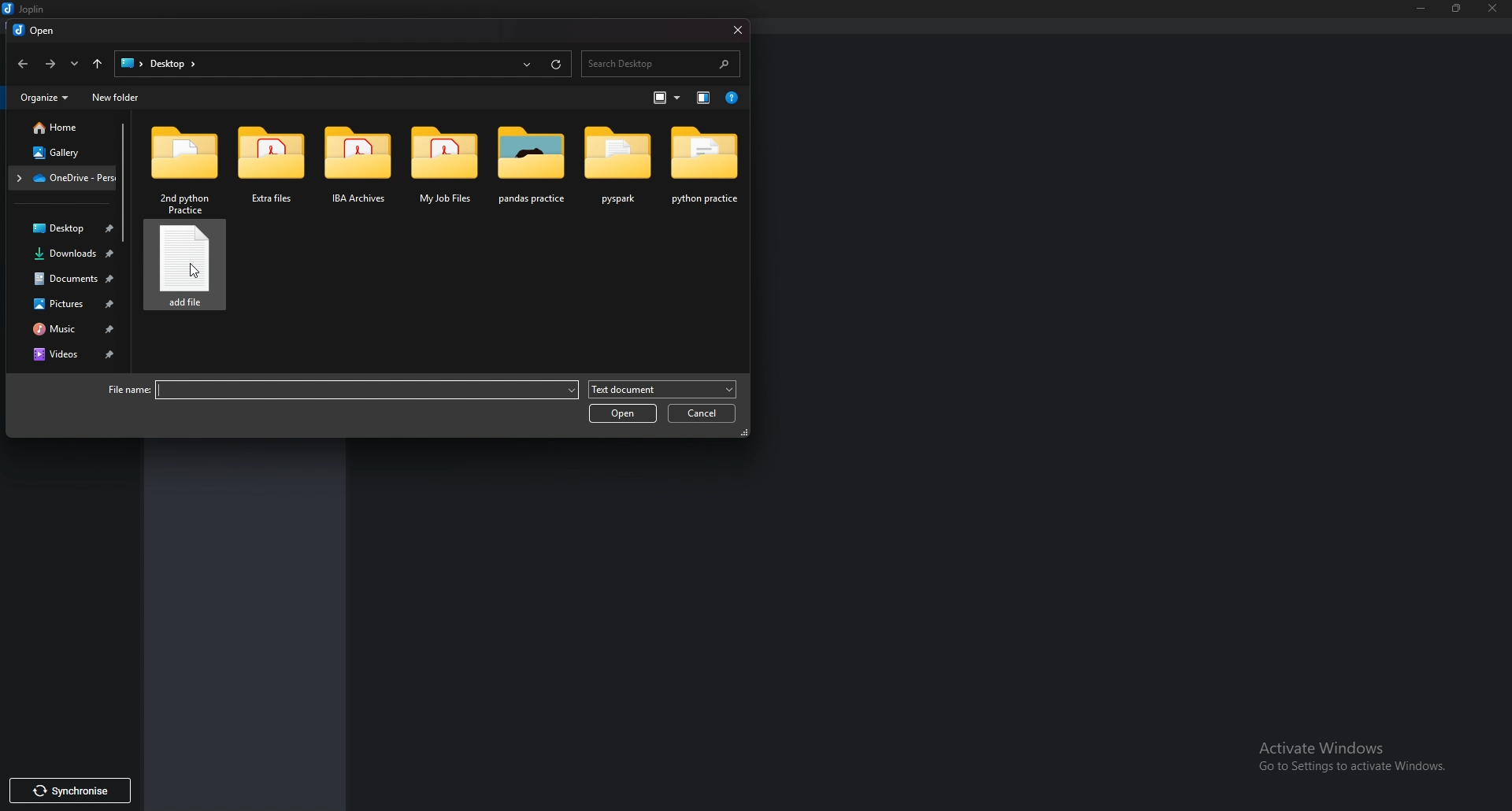  What do you see at coordinates (661, 63) in the screenshot?
I see `Search desktop` at bounding box center [661, 63].